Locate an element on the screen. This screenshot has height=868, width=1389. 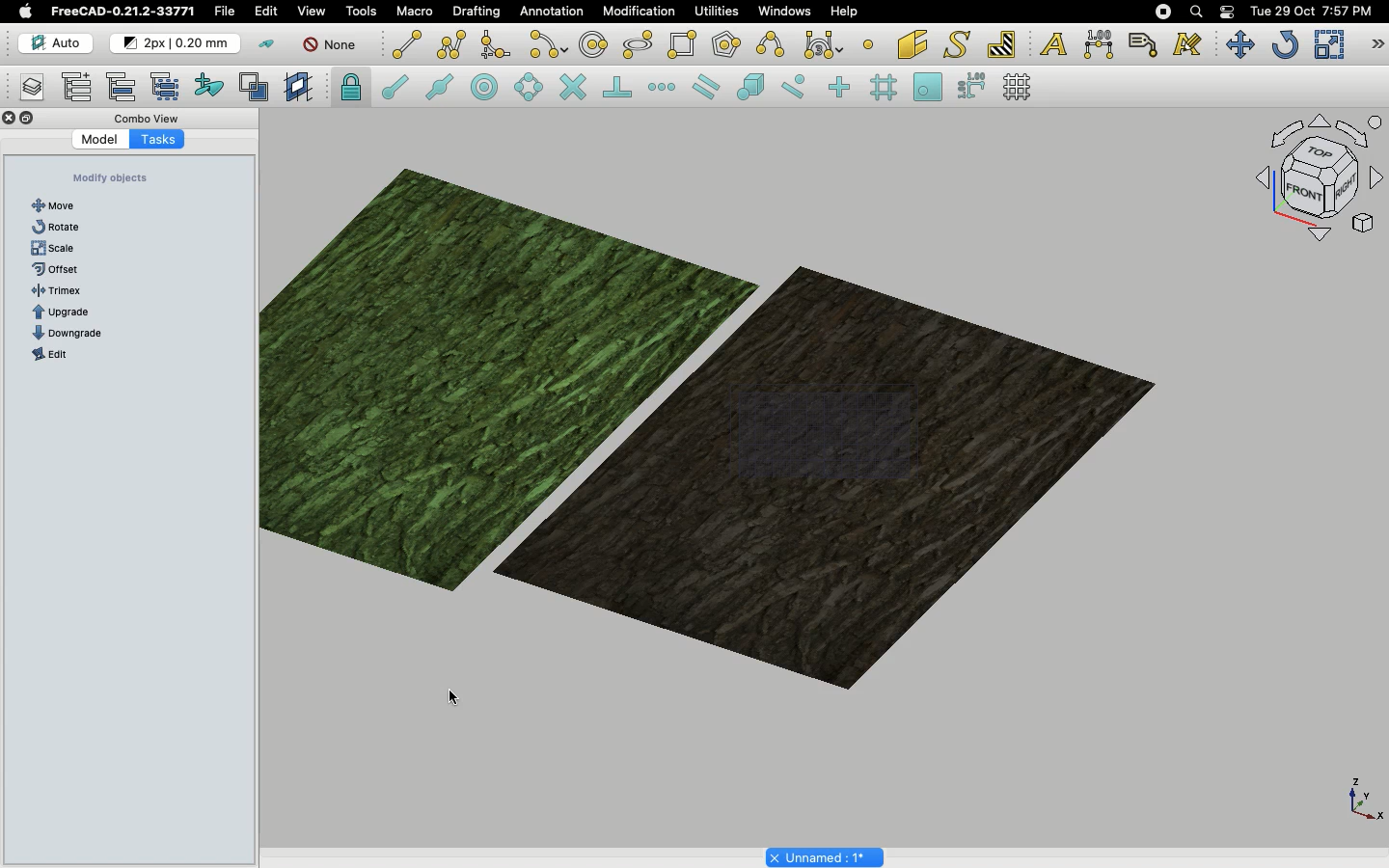
Refresh is located at coordinates (1285, 46).